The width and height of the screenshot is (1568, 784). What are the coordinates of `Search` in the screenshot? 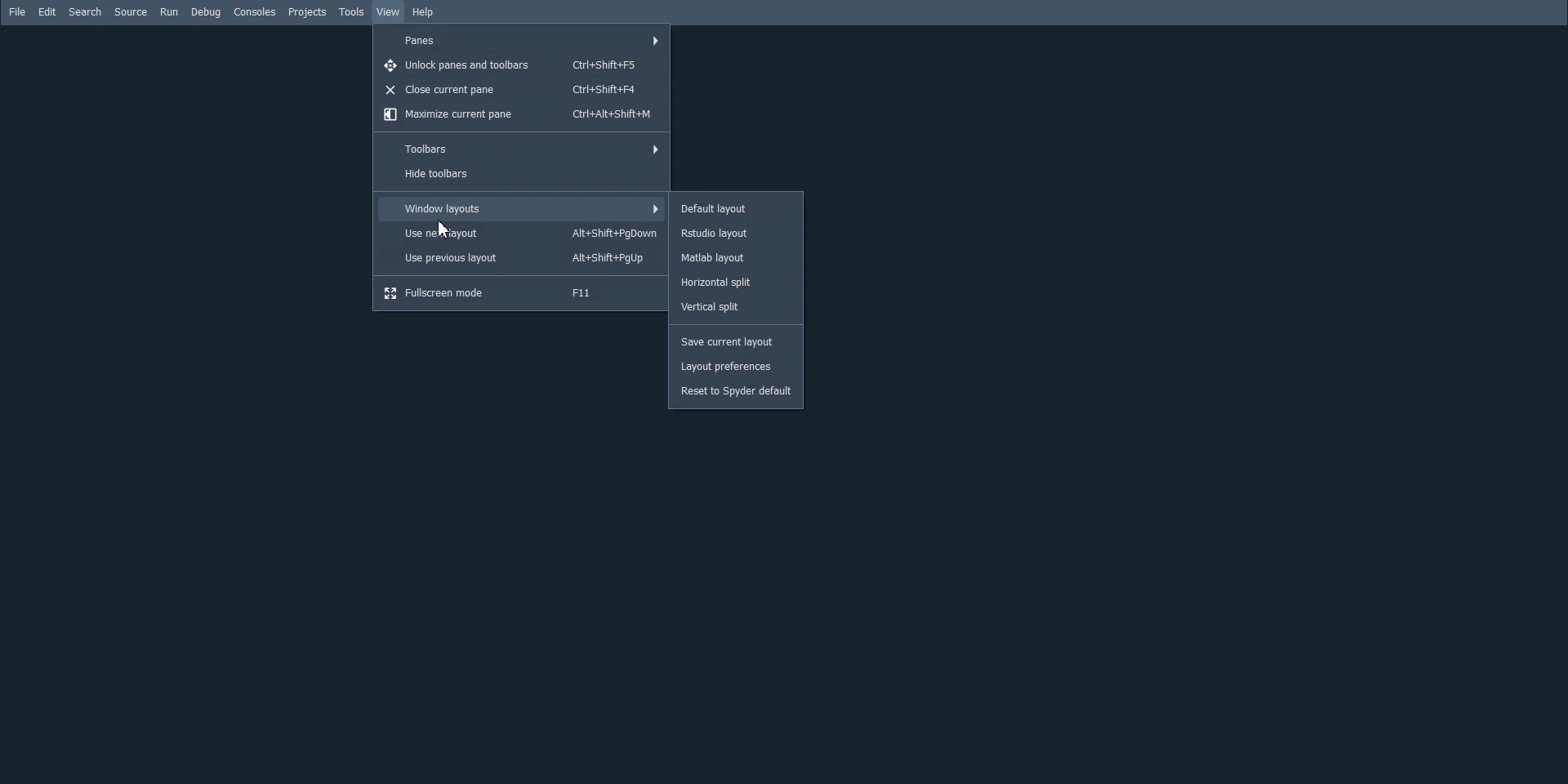 It's located at (84, 11).